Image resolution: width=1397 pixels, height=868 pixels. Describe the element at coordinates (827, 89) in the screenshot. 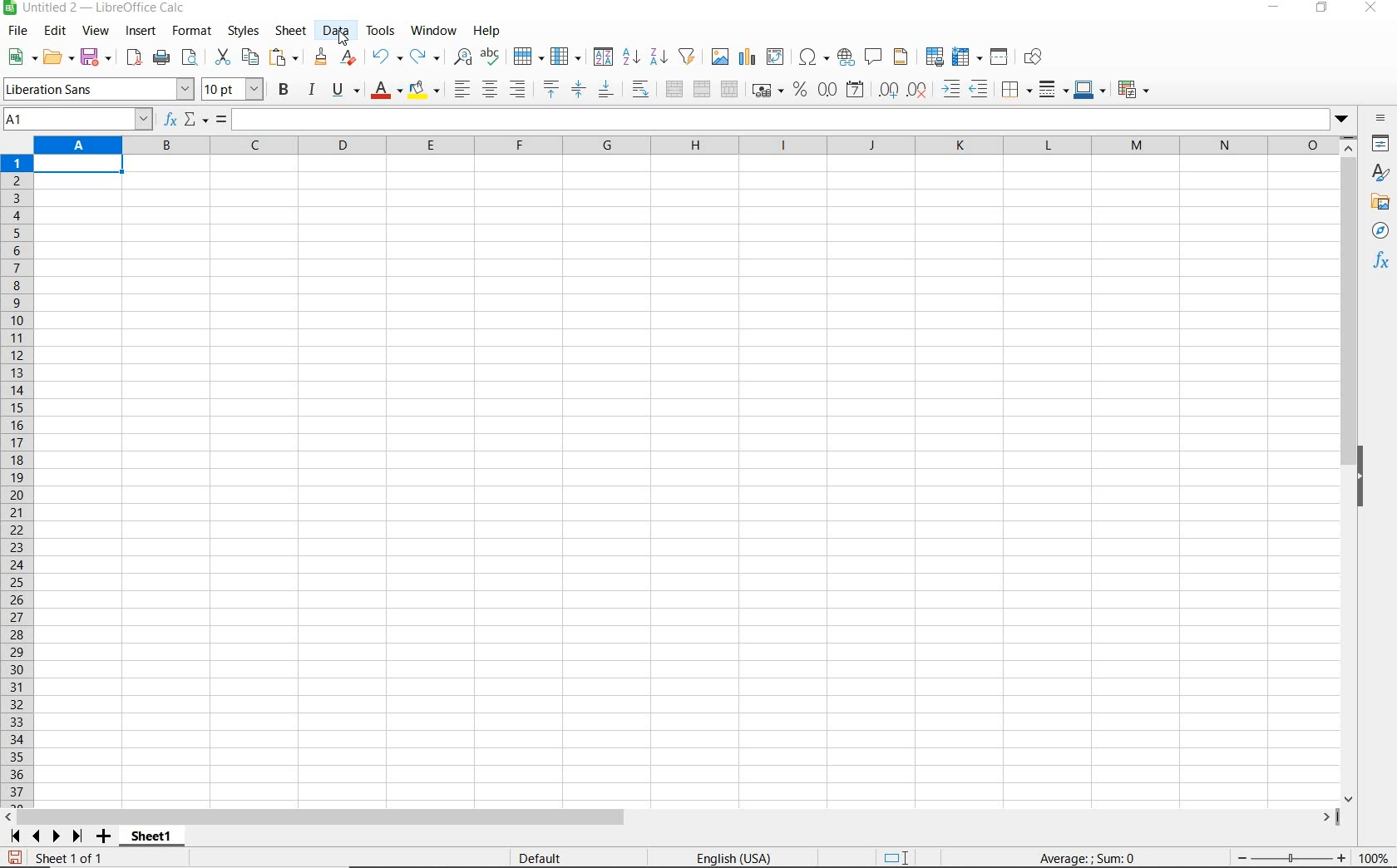

I see `format as number` at that location.